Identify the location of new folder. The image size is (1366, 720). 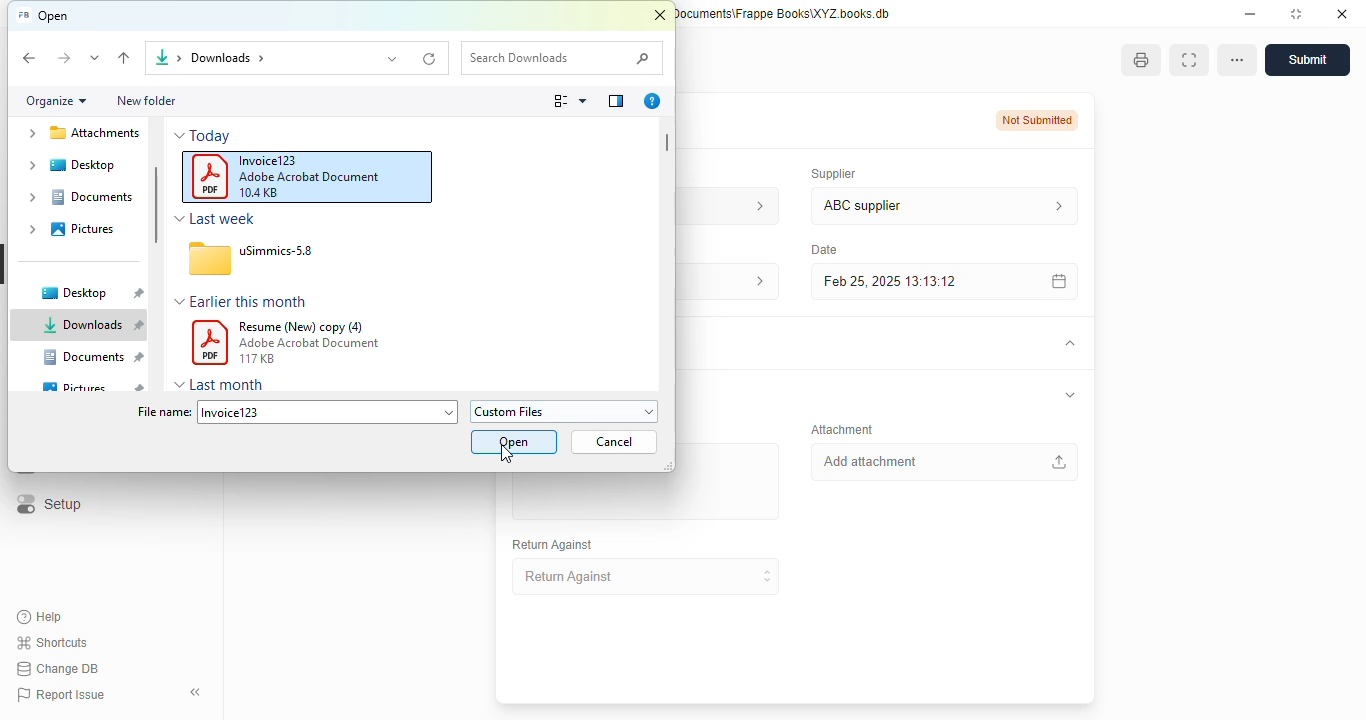
(145, 100).